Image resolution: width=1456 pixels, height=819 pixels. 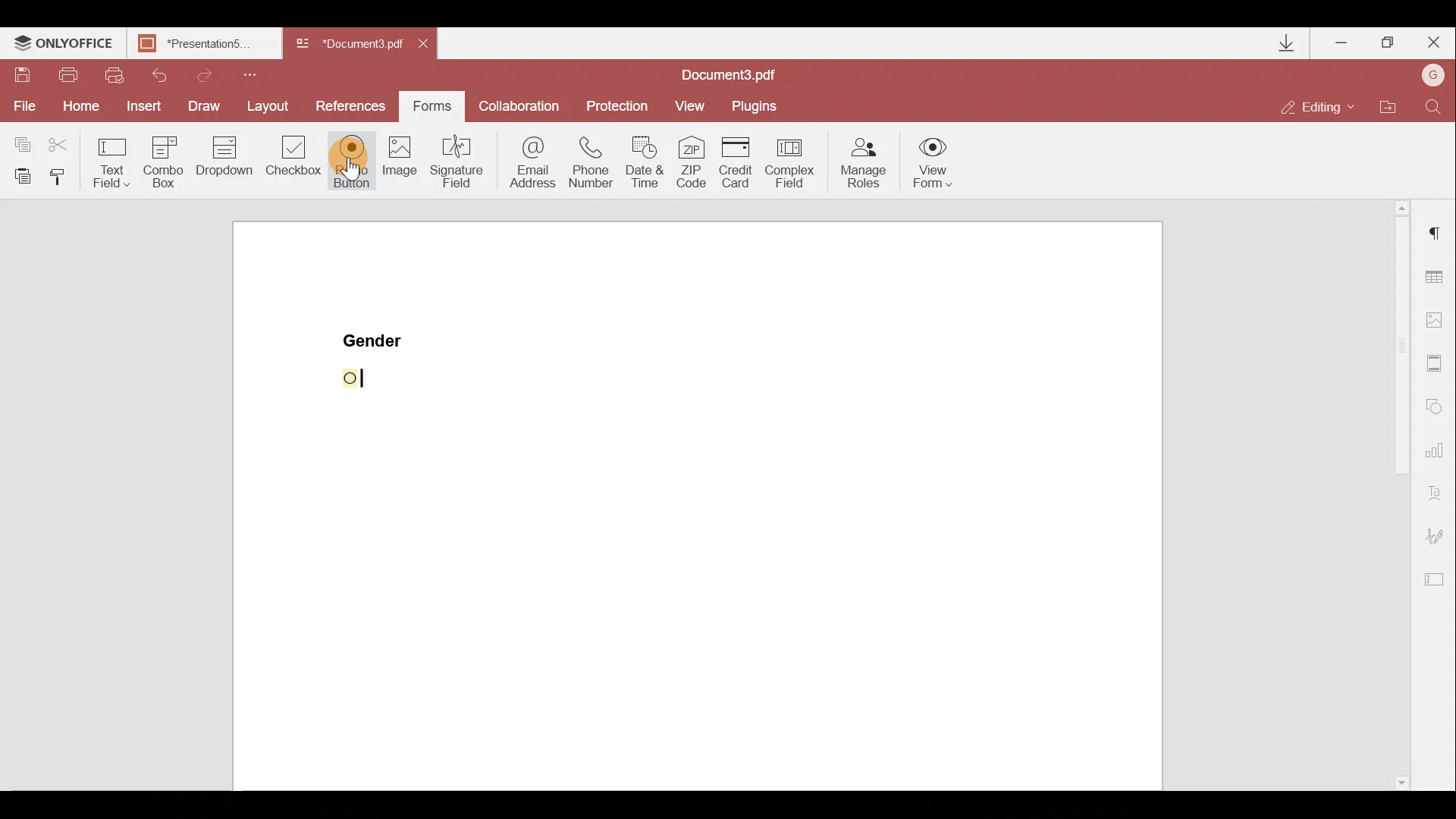 What do you see at coordinates (760, 103) in the screenshot?
I see `Plugins` at bounding box center [760, 103].